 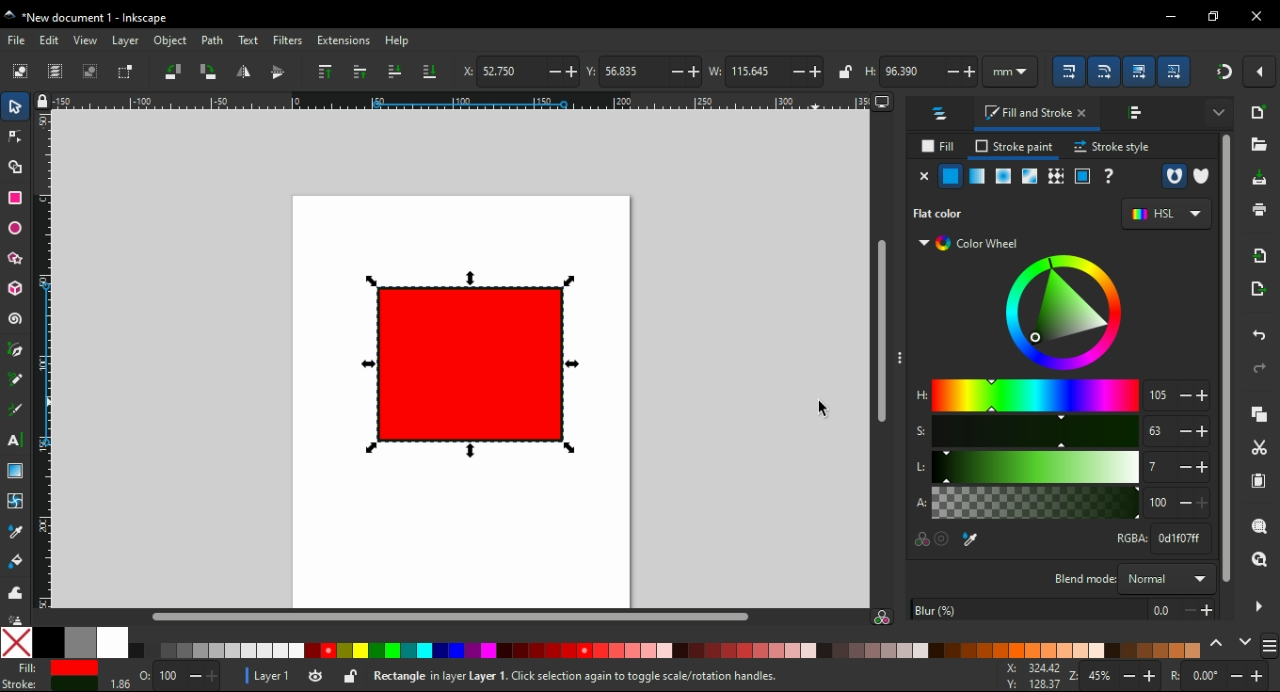 I want to click on snap, so click(x=1222, y=74).